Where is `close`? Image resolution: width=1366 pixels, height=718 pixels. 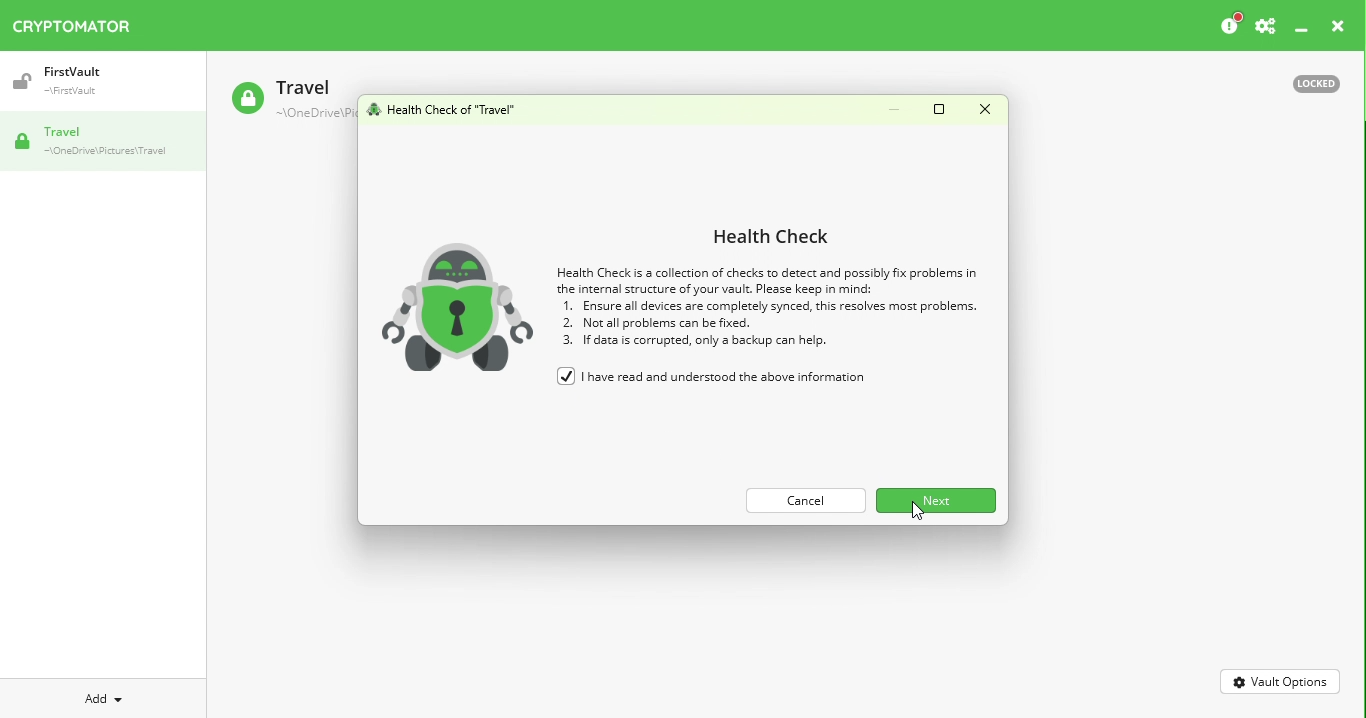
close is located at coordinates (1339, 26).